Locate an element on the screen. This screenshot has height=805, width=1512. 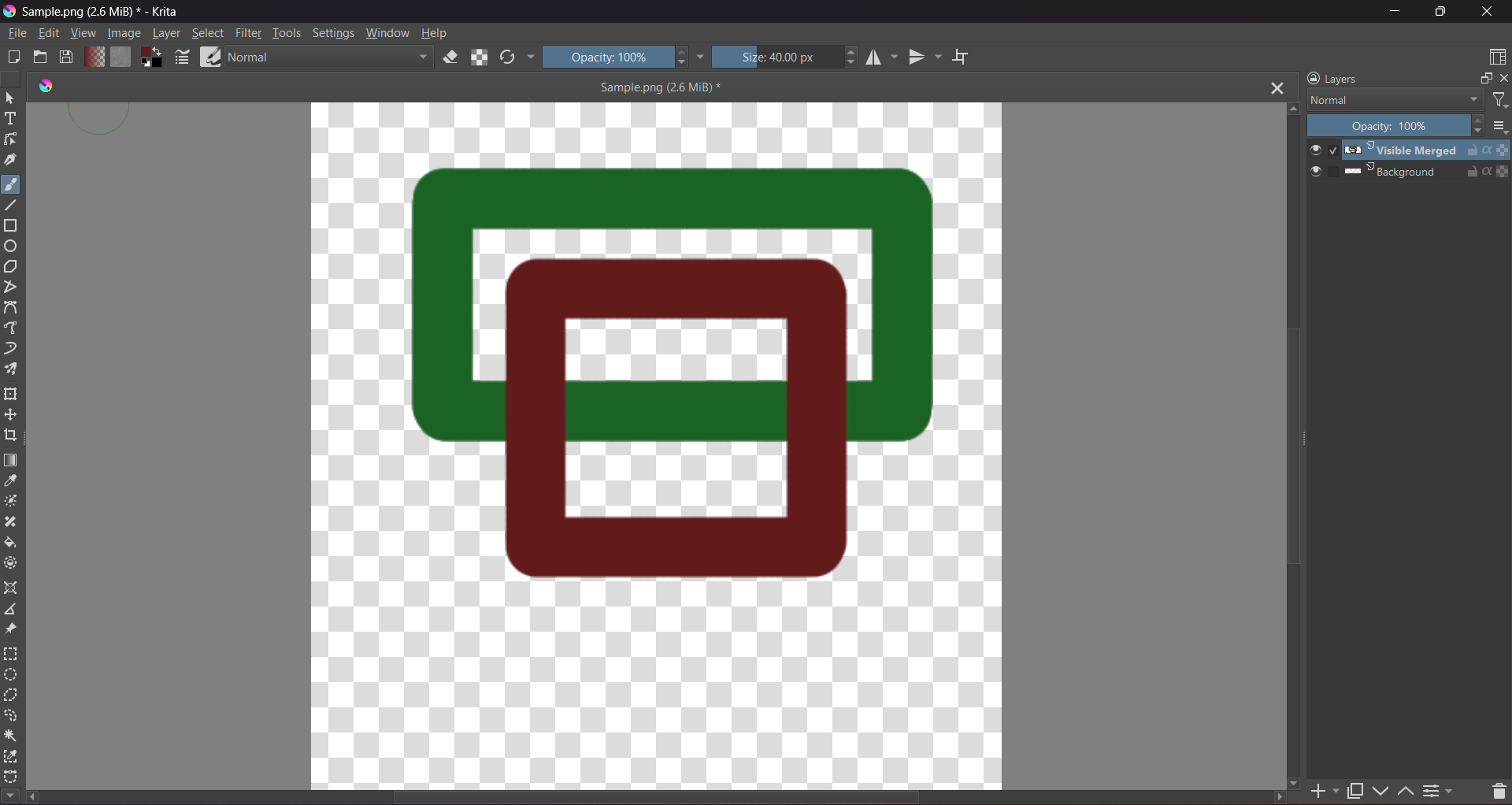
Fill Color is located at coordinates (119, 56).